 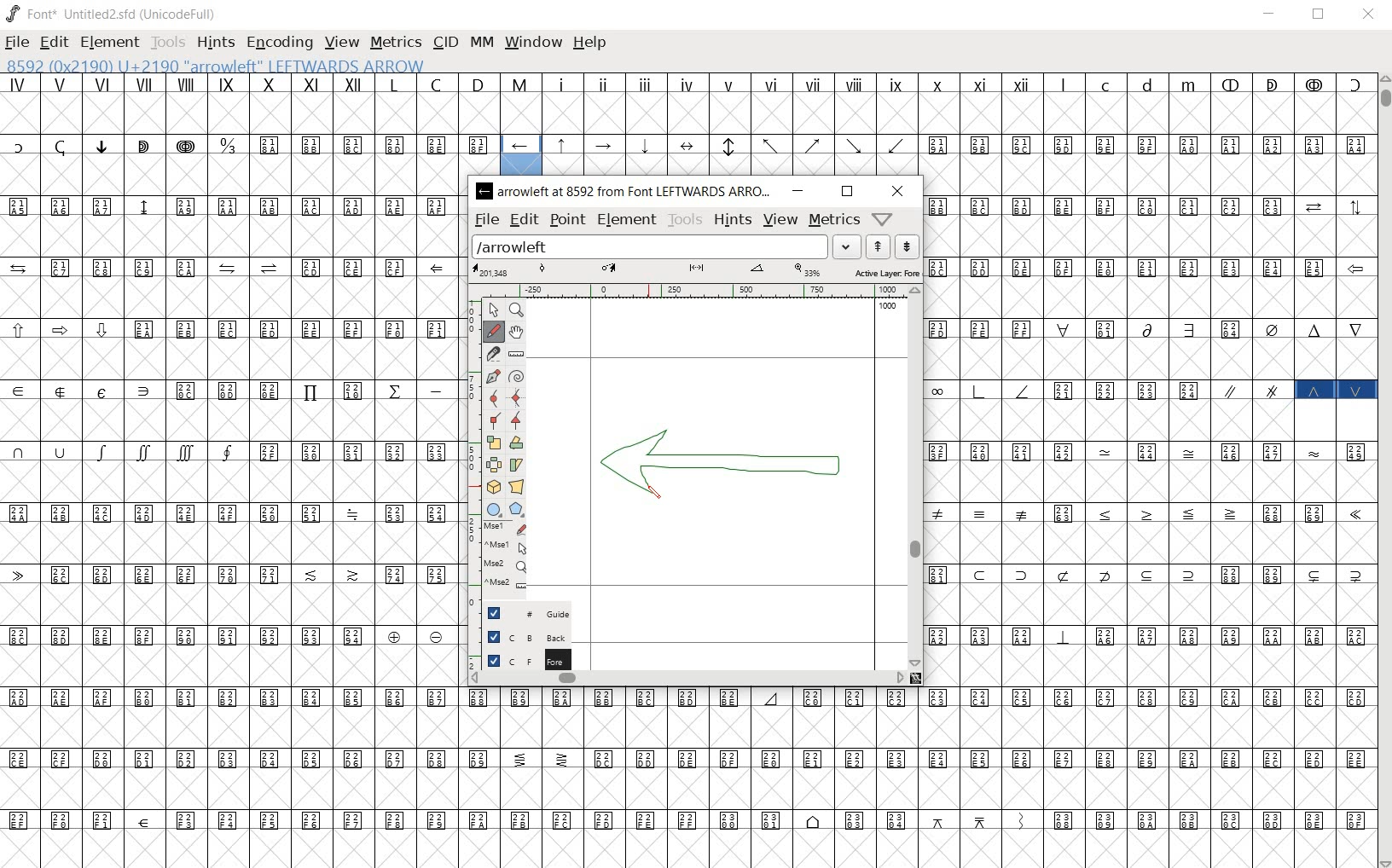 I want to click on restore, so click(x=1320, y=14).